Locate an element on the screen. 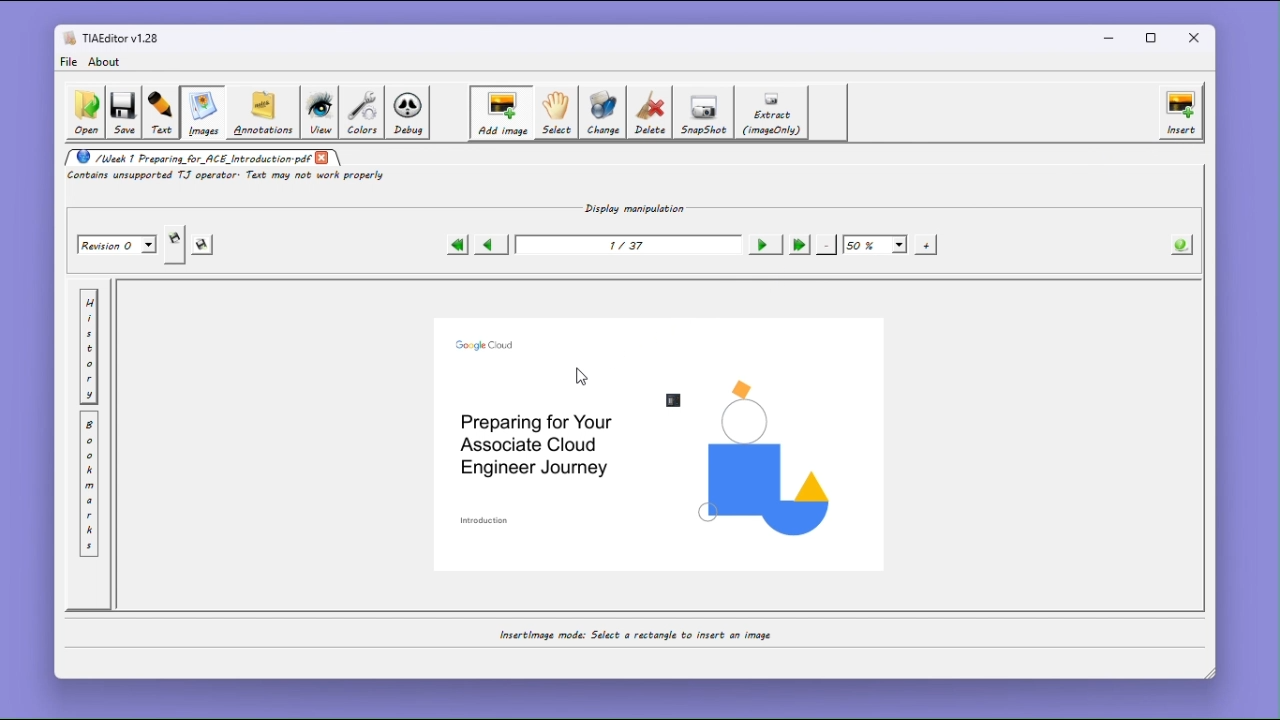 Image resolution: width=1280 pixels, height=720 pixels. Change is located at coordinates (604, 112).